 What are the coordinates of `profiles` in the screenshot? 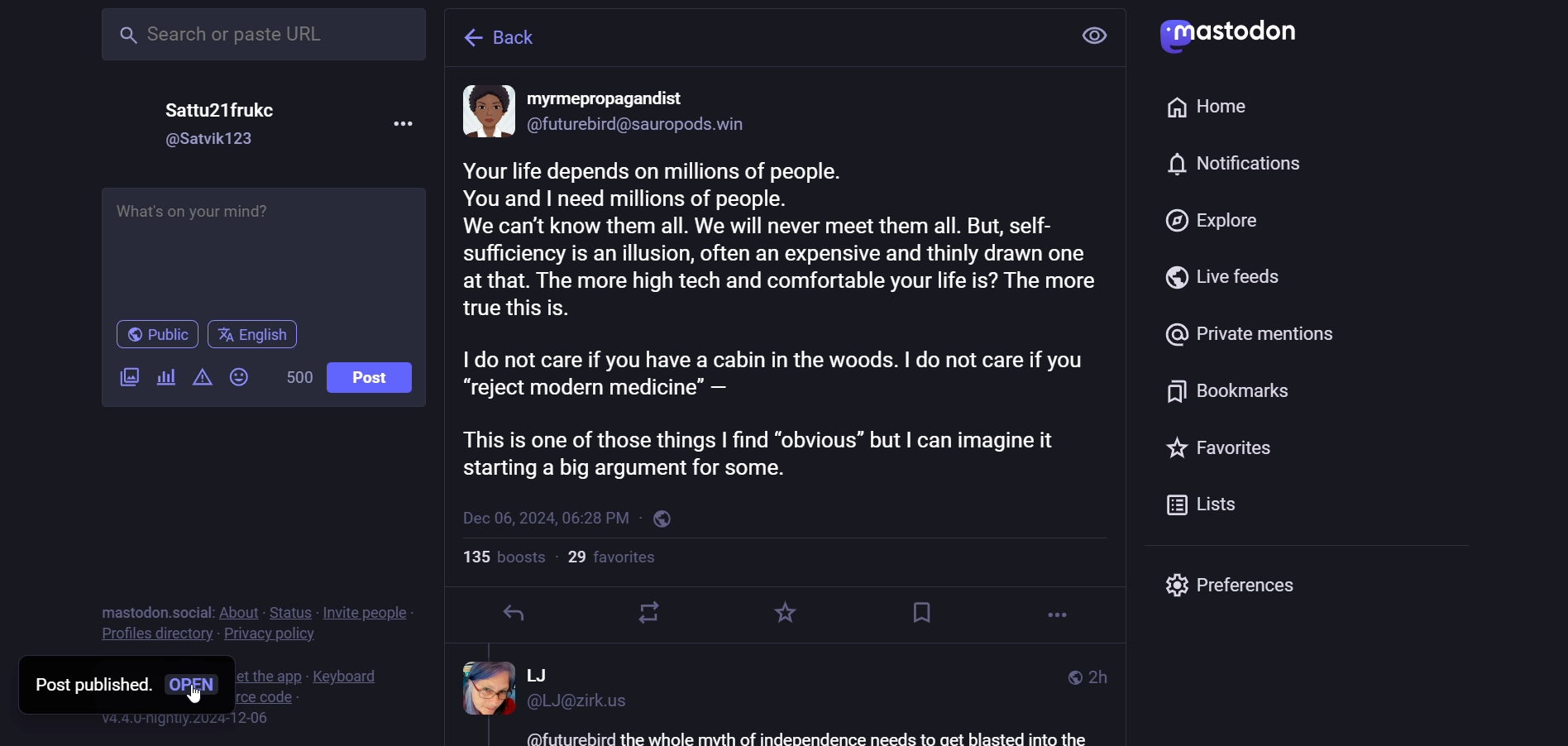 It's located at (155, 635).